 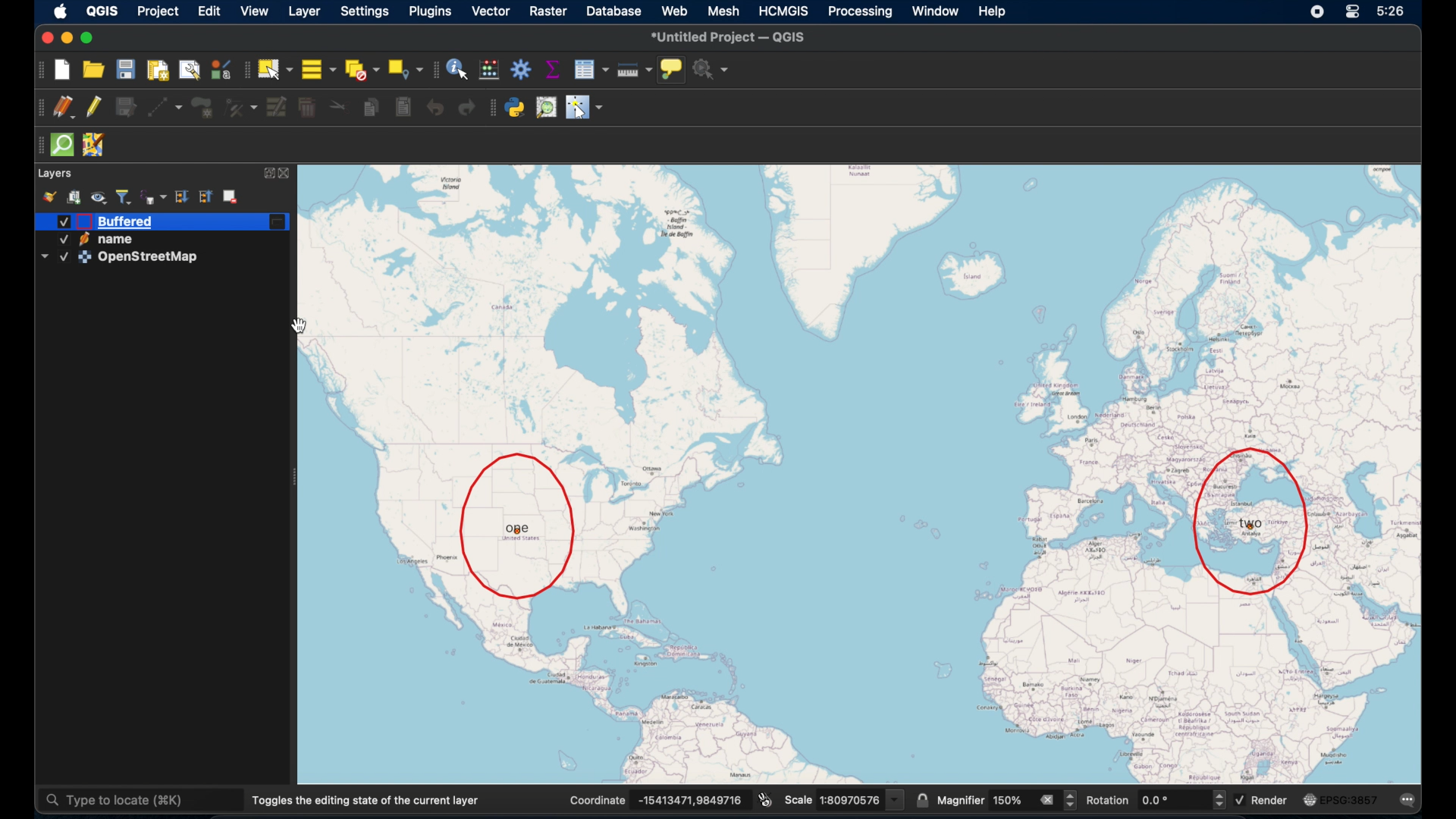 I want to click on EPSG:3875, so click(x=1351, y=801).